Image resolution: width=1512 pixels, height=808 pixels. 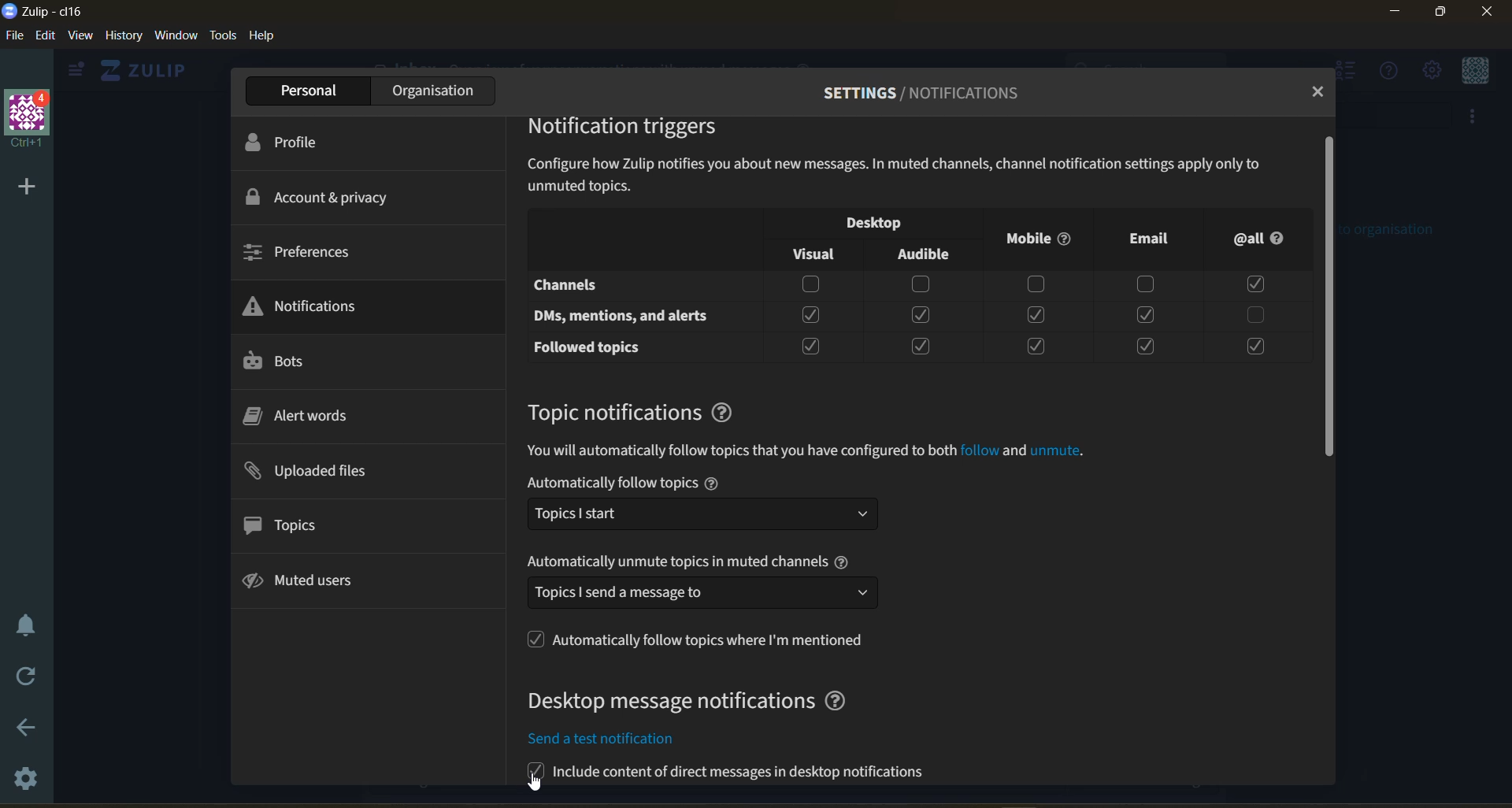 I want to click on DMs, so click(x=629, y=313).